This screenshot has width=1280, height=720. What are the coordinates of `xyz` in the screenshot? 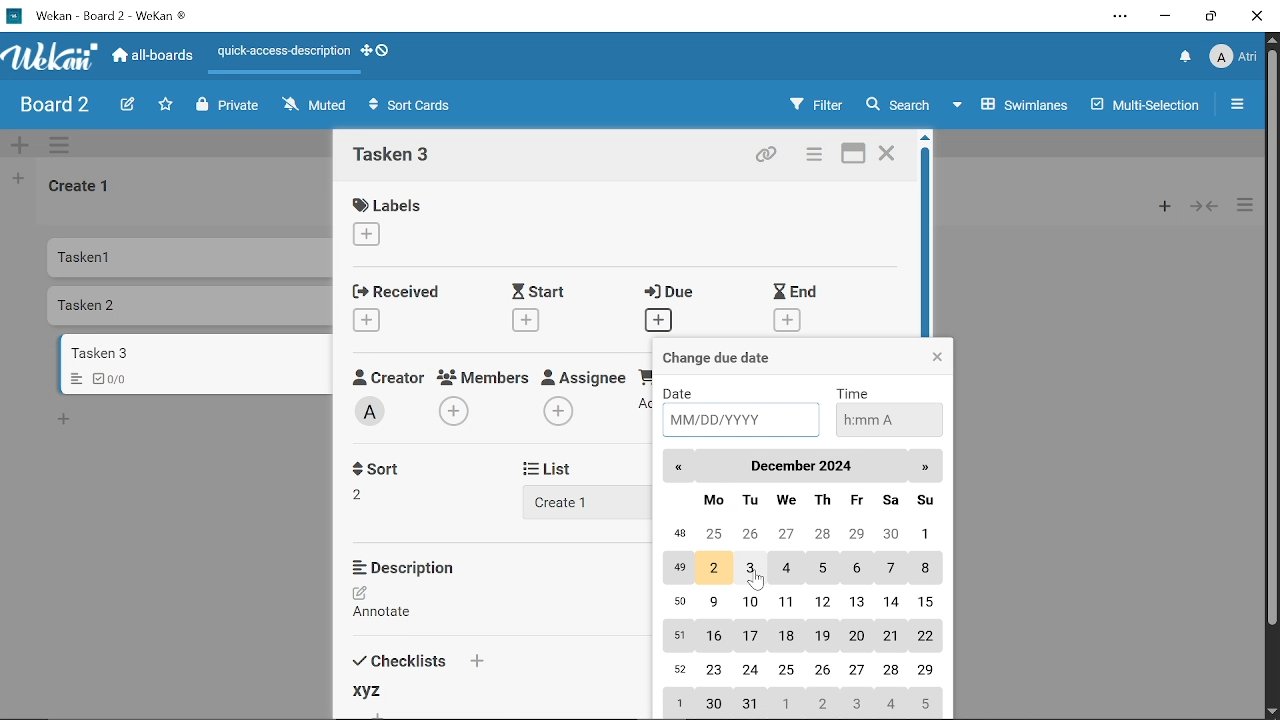 It's located at (365, 692).